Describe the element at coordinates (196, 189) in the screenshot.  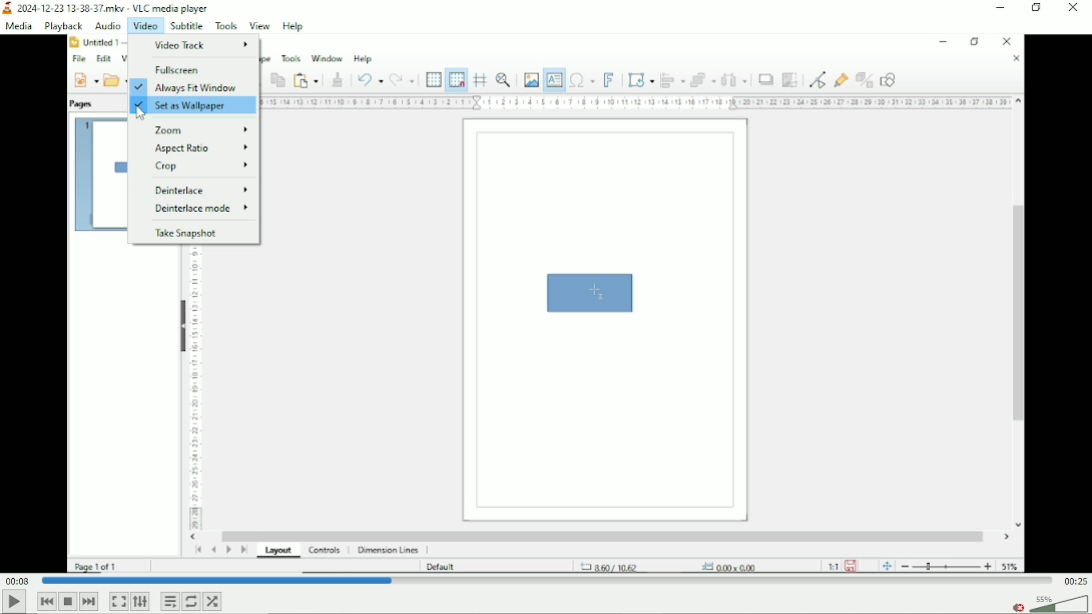
I see `Deinterlace` at that location.